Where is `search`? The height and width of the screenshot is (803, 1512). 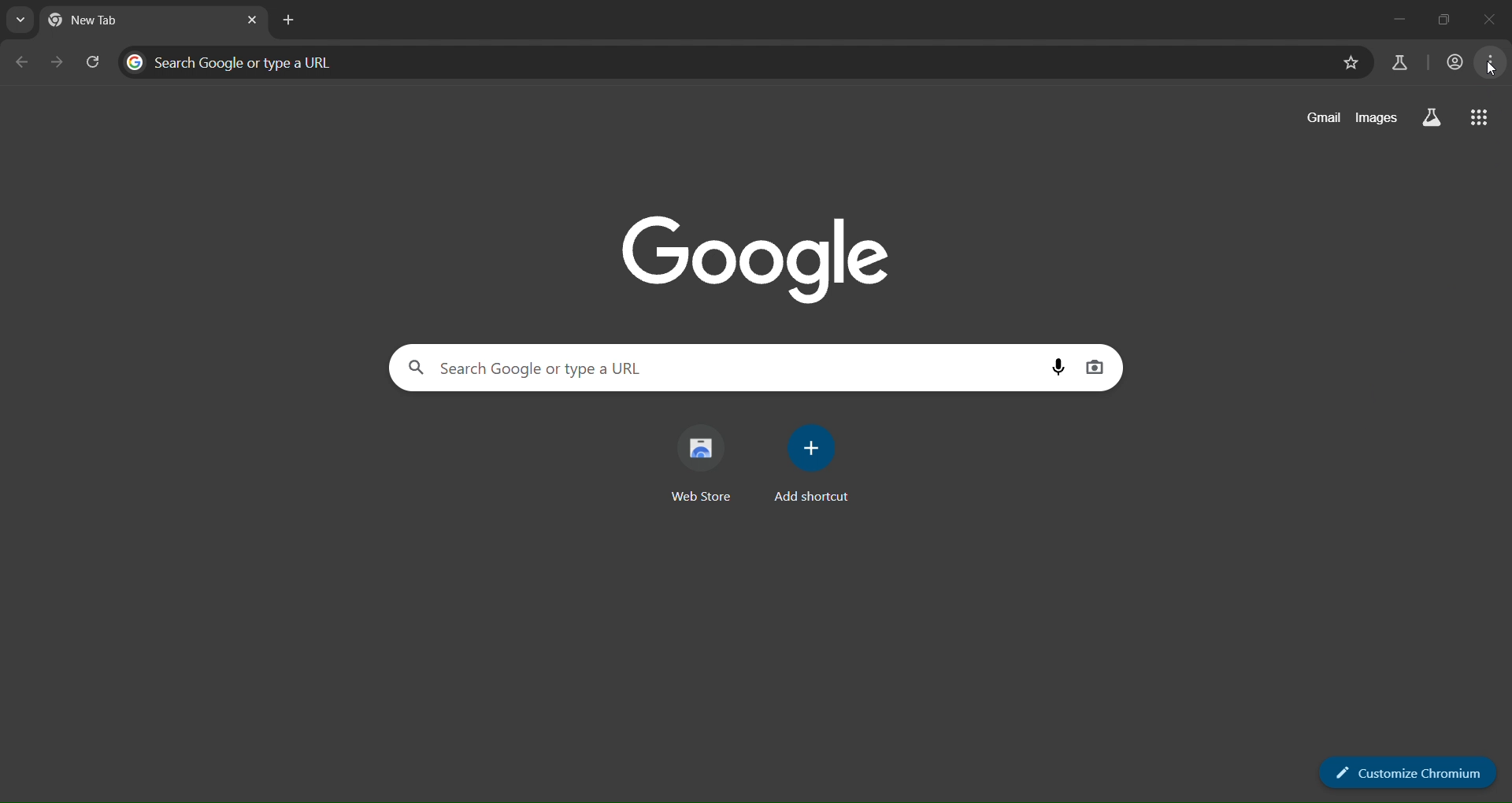
search is located at coordinates (533, 367).